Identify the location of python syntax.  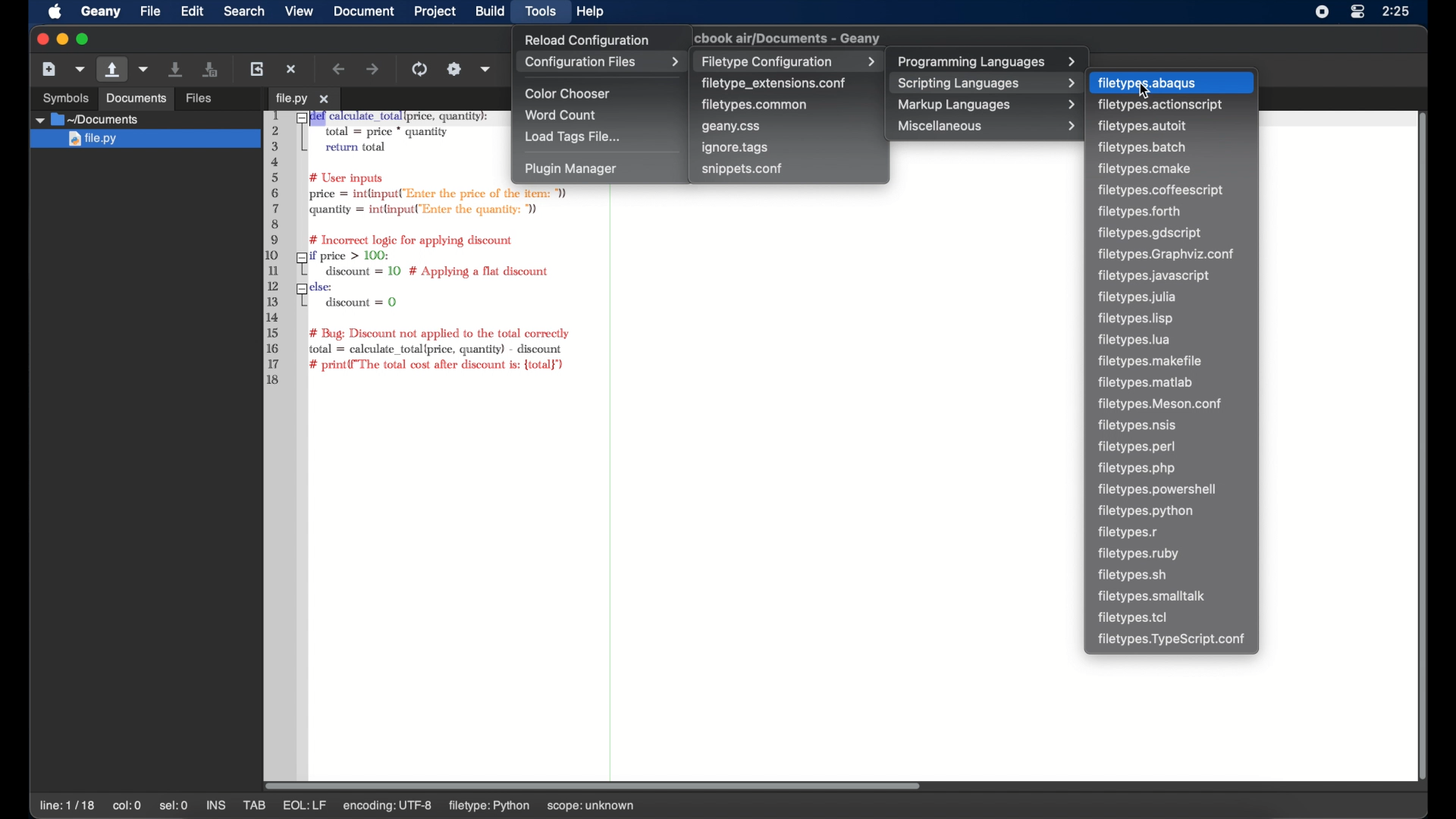
(381, 249).